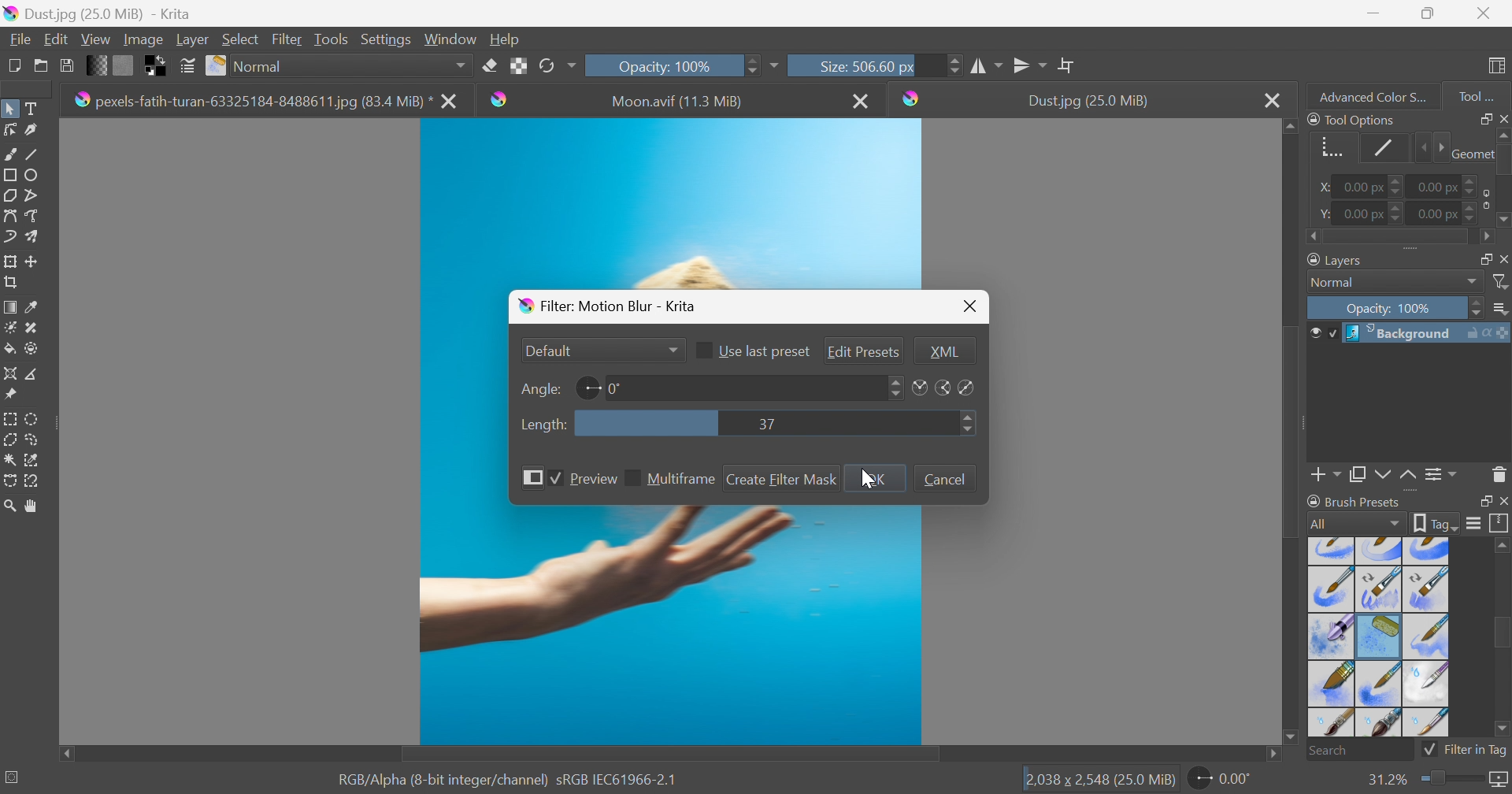 The image size is (1512, 794). I want to click on Types of brush, so click(1376, 636).